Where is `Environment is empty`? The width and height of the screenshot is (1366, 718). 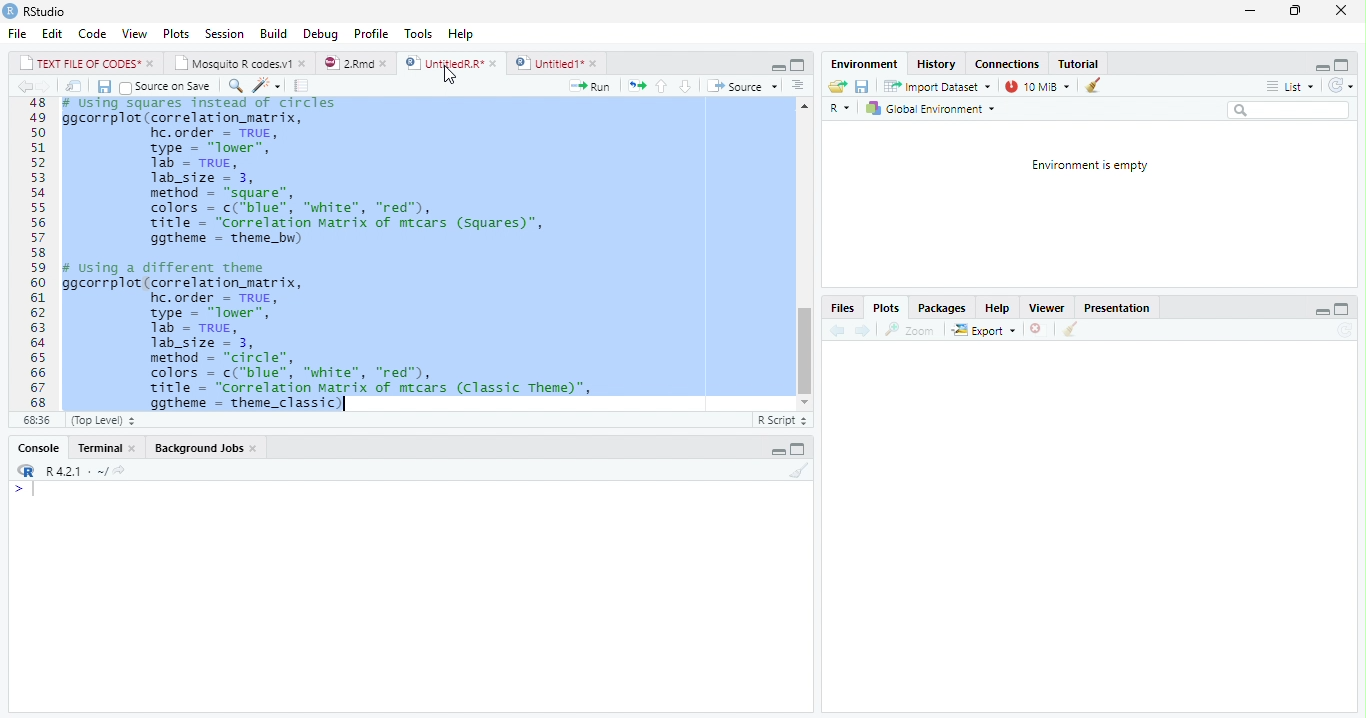
Environment is empty is located at coordinates (1089, 166).